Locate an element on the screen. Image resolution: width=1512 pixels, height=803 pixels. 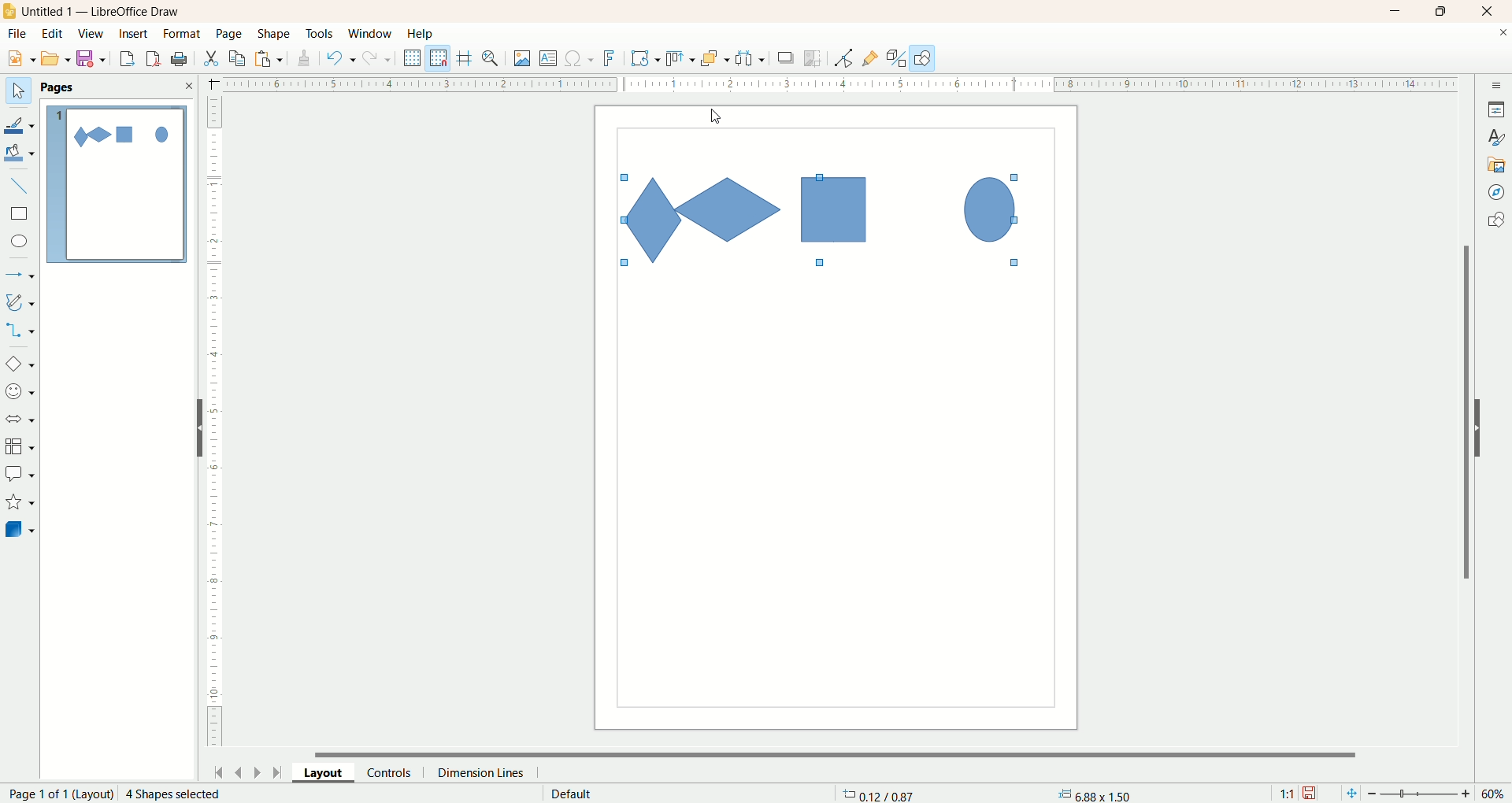
file is located at coordinates (20, 34).